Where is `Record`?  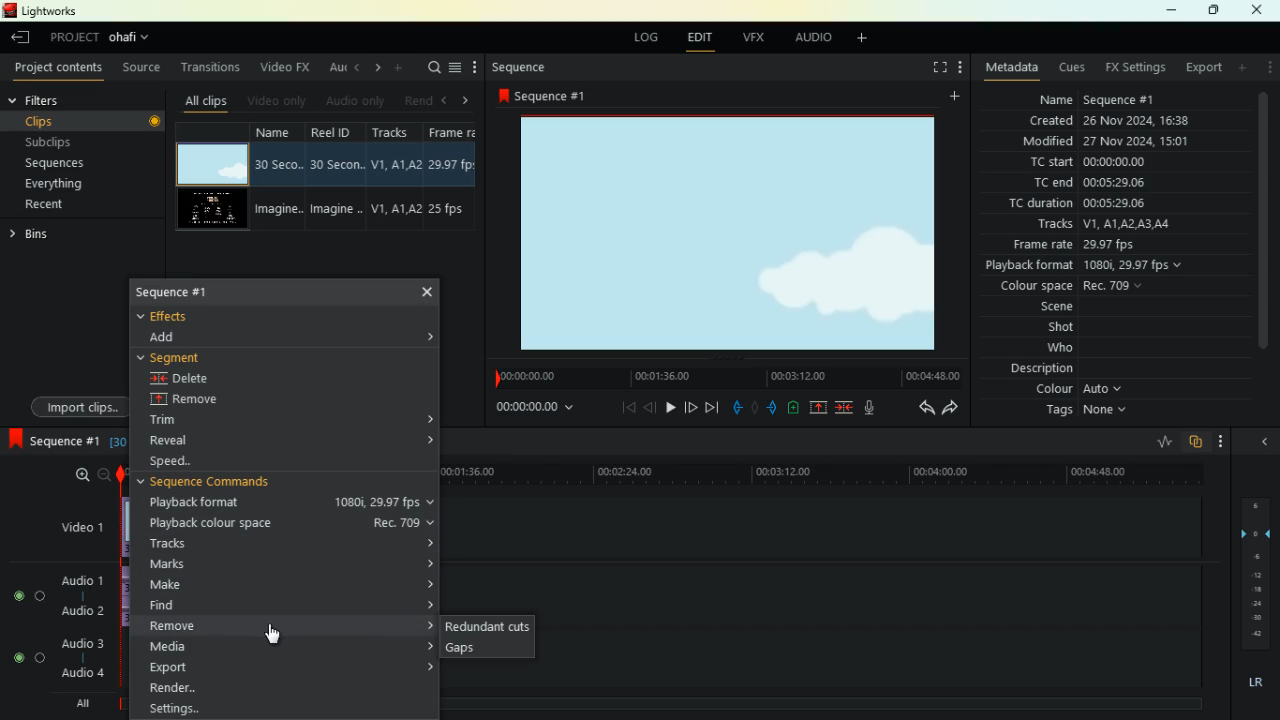 Record is located at coordinates (156, 121).